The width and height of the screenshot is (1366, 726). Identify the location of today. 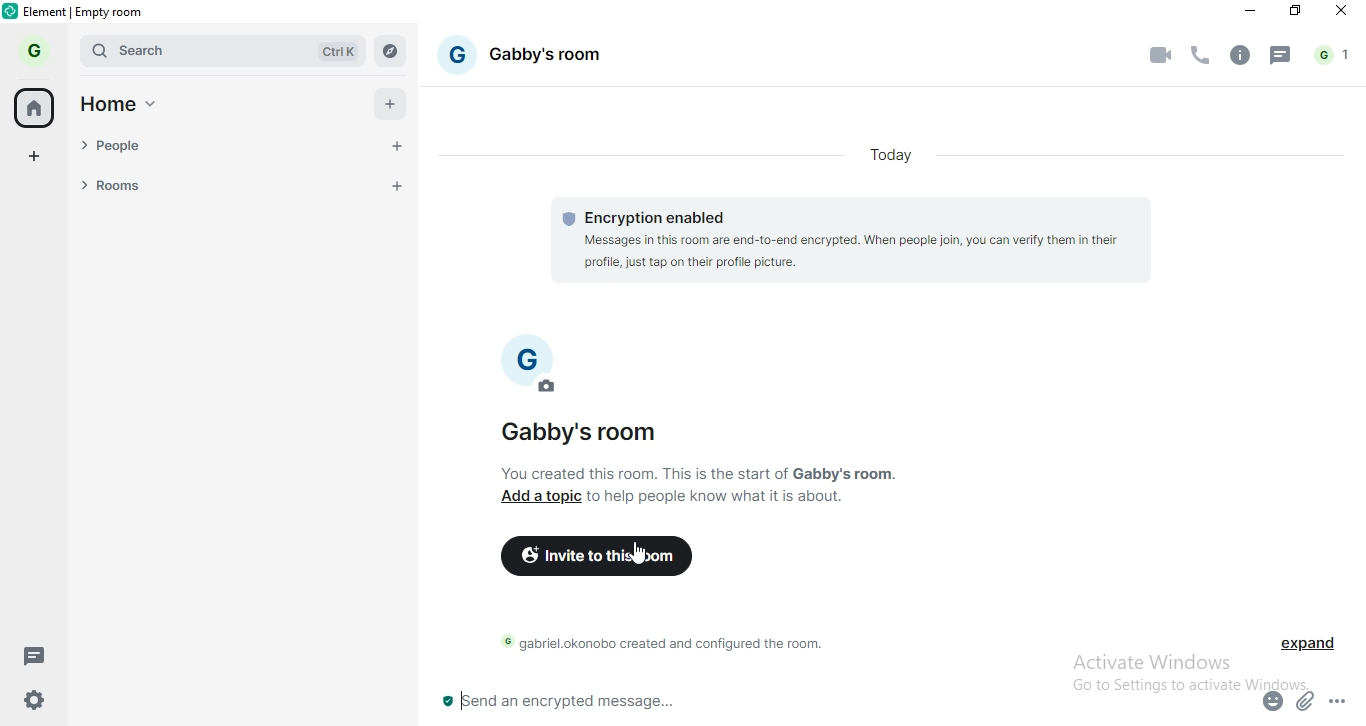
(894, 153).